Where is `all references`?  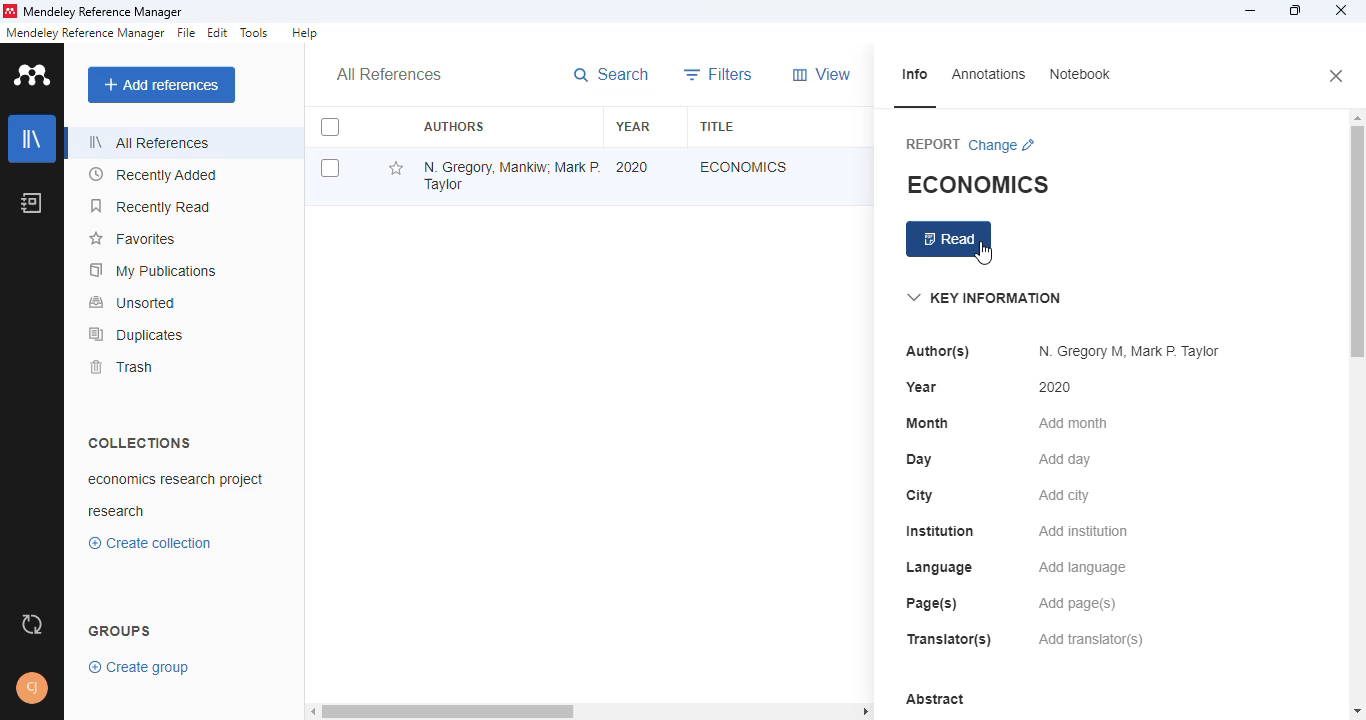 all references is located at coordinates (391, 73).